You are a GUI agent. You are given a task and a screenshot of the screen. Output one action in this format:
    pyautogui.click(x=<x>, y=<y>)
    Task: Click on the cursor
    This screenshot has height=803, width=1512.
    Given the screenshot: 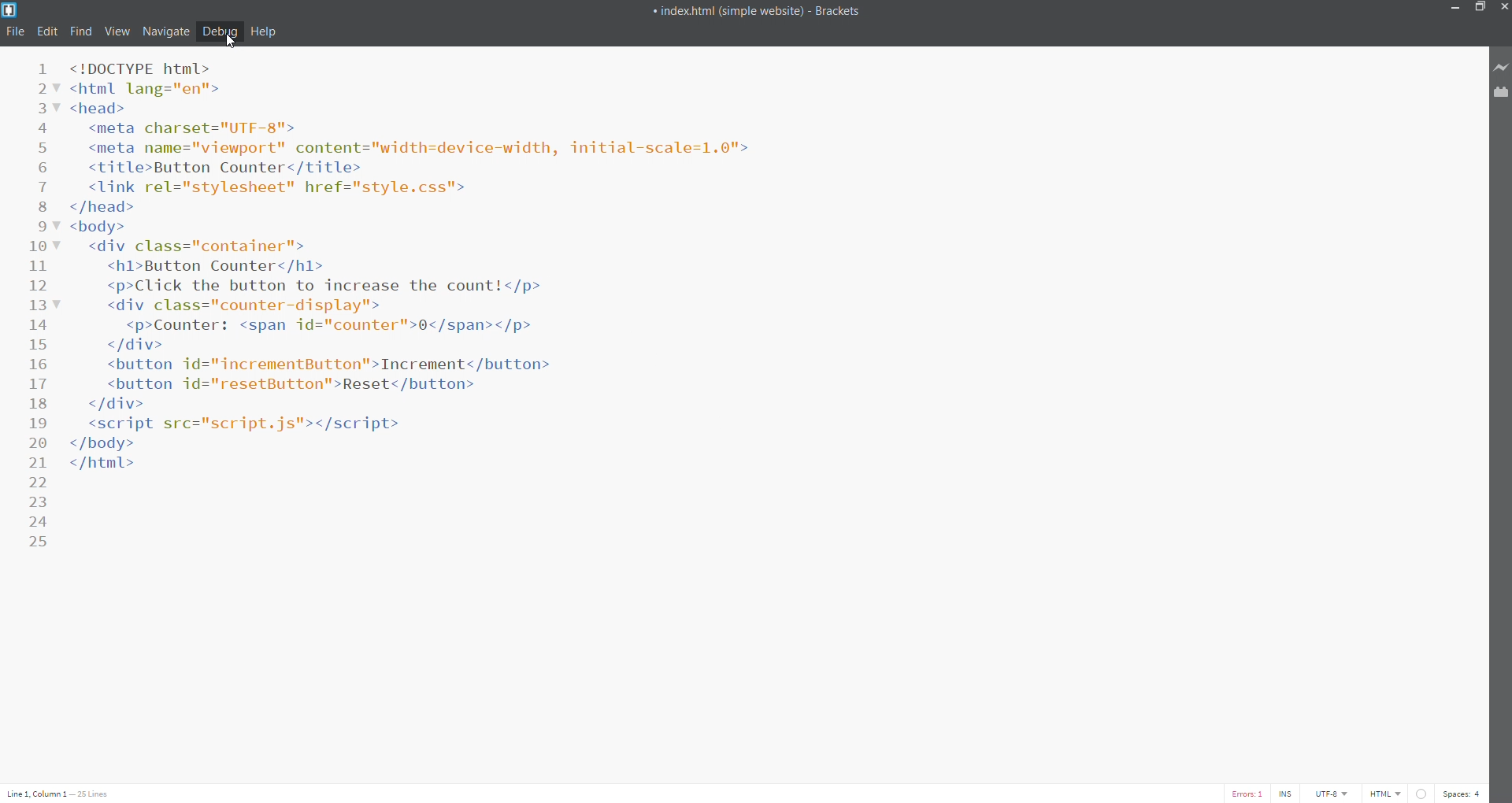 What is the action you would take?
    pyautogui.click(x=228, y=42)
    